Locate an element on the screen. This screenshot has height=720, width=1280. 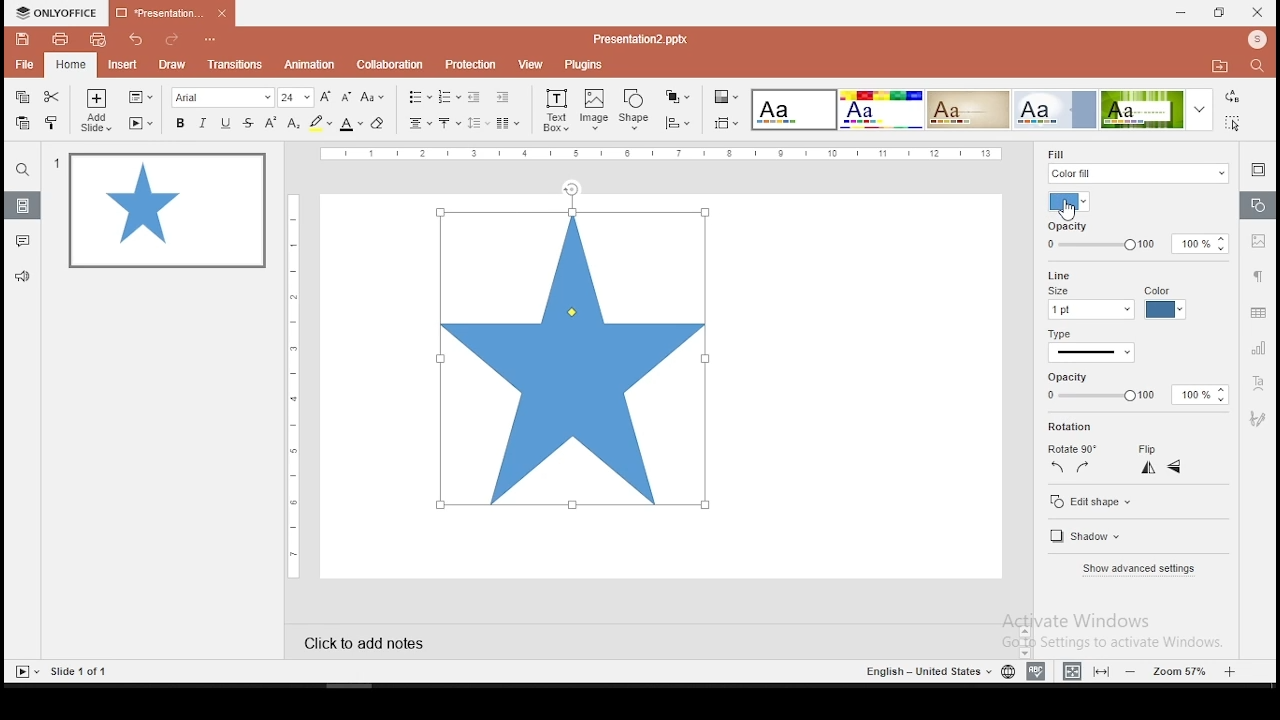
icon is located at coordinates (57, 13).